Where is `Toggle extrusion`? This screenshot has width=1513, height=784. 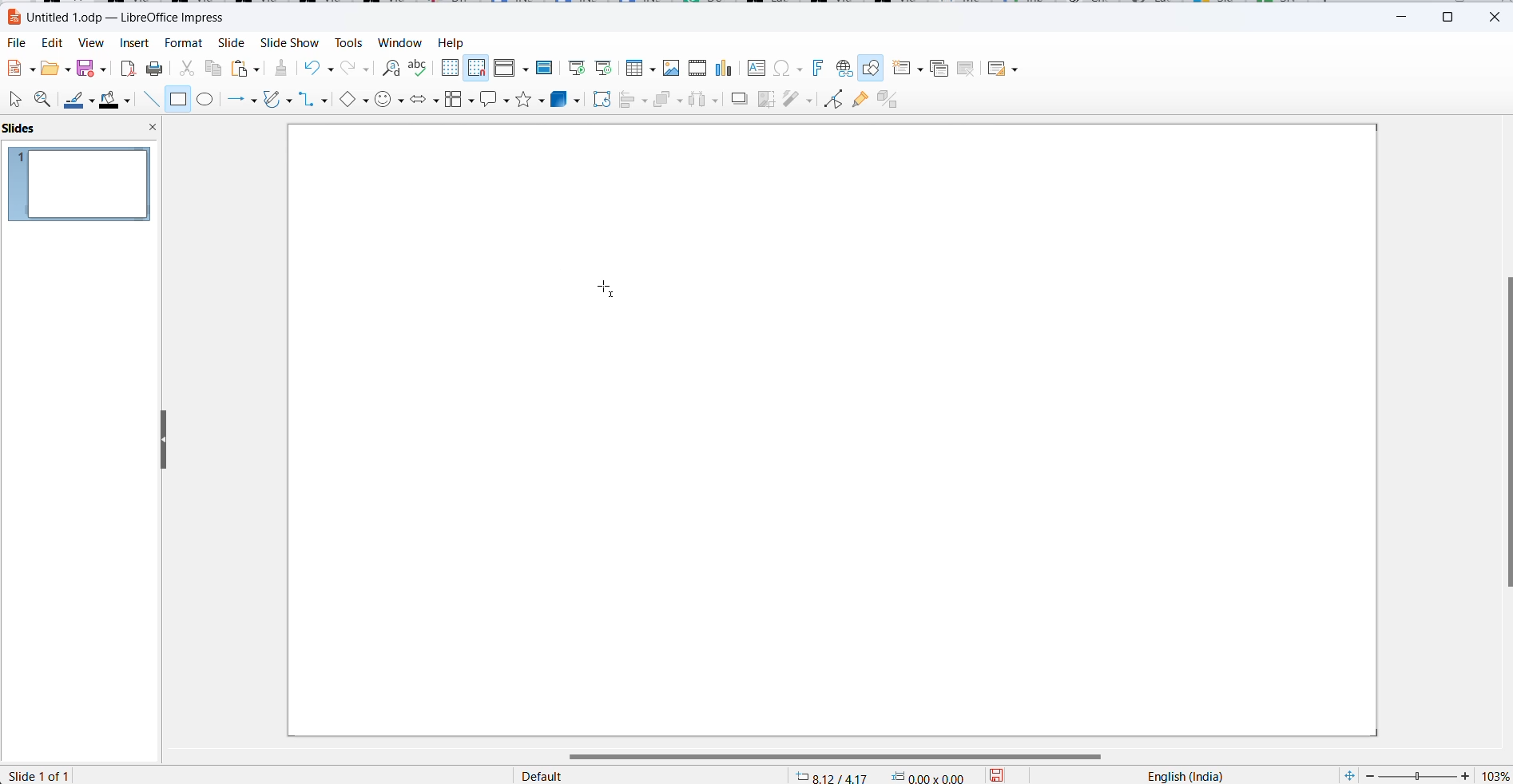
Toggle extrusion is located at coordinates (892, 100).